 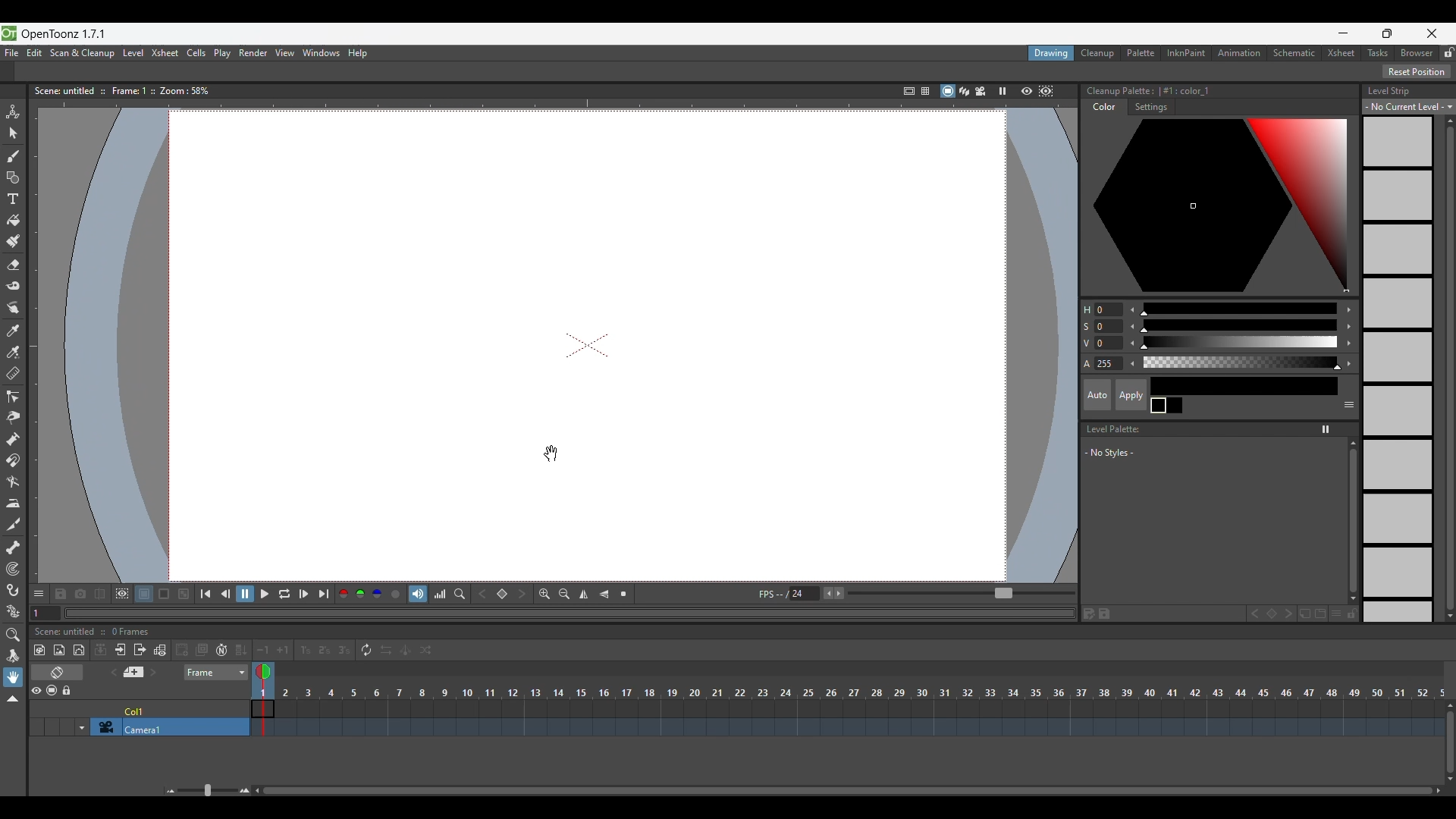 What do you see at coordinates (14, 353) in the screenshot?
I see `RGB picker tool` at bounding box center [14, 353].